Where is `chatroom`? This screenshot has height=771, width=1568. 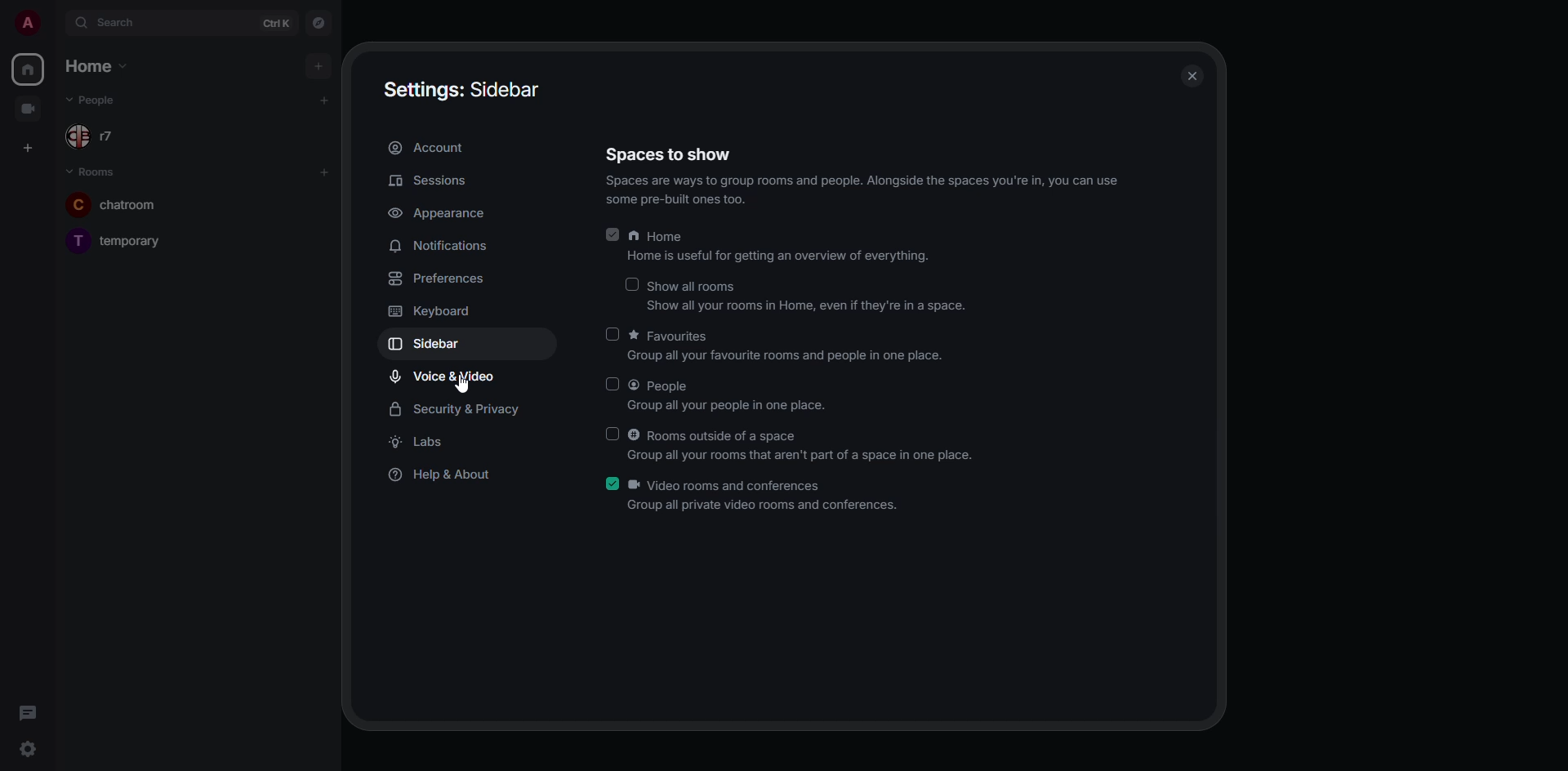 chatroom is located at coordinates (126, 203).